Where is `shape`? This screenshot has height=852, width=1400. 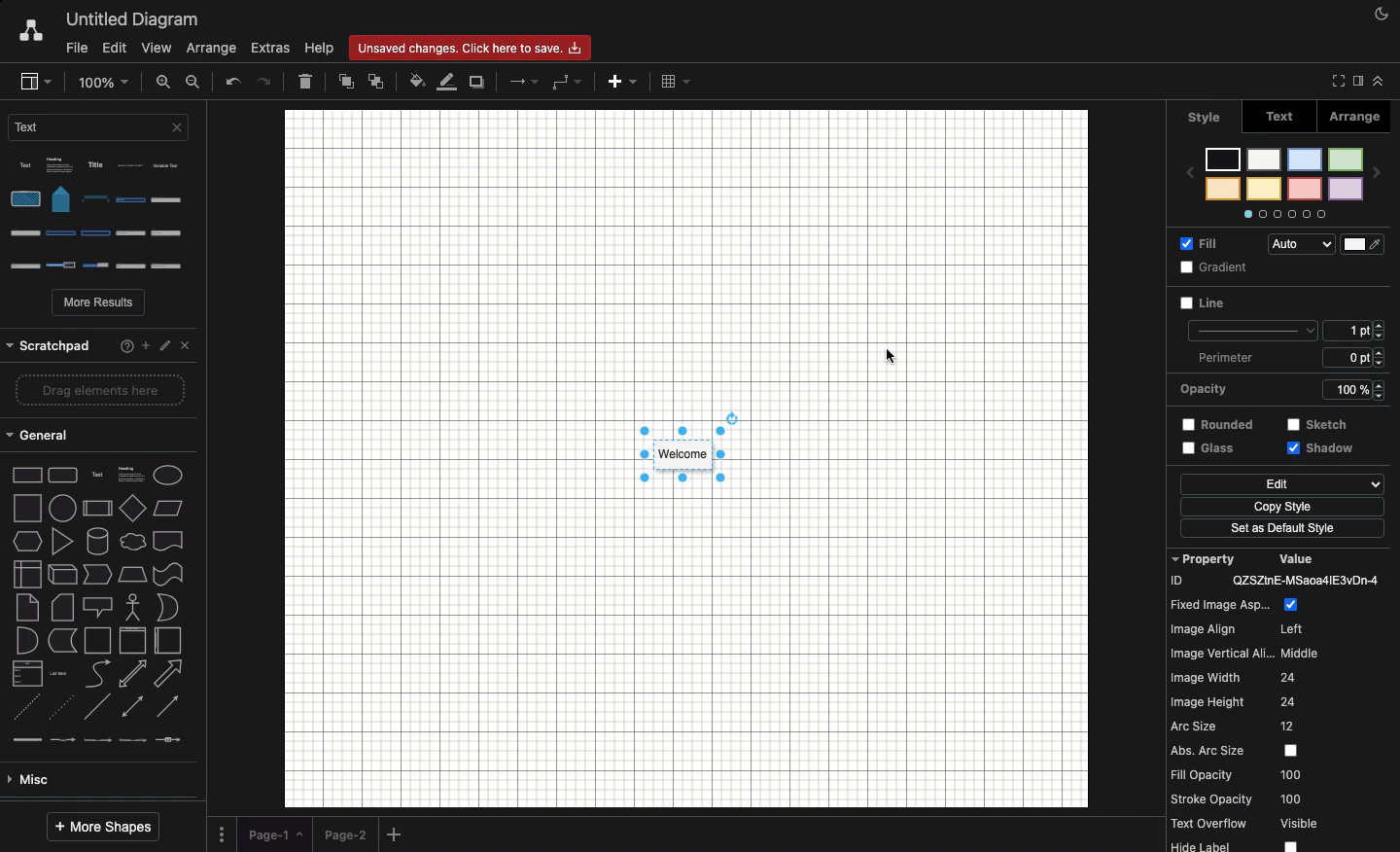
shape is located at coordinates (101, 502).